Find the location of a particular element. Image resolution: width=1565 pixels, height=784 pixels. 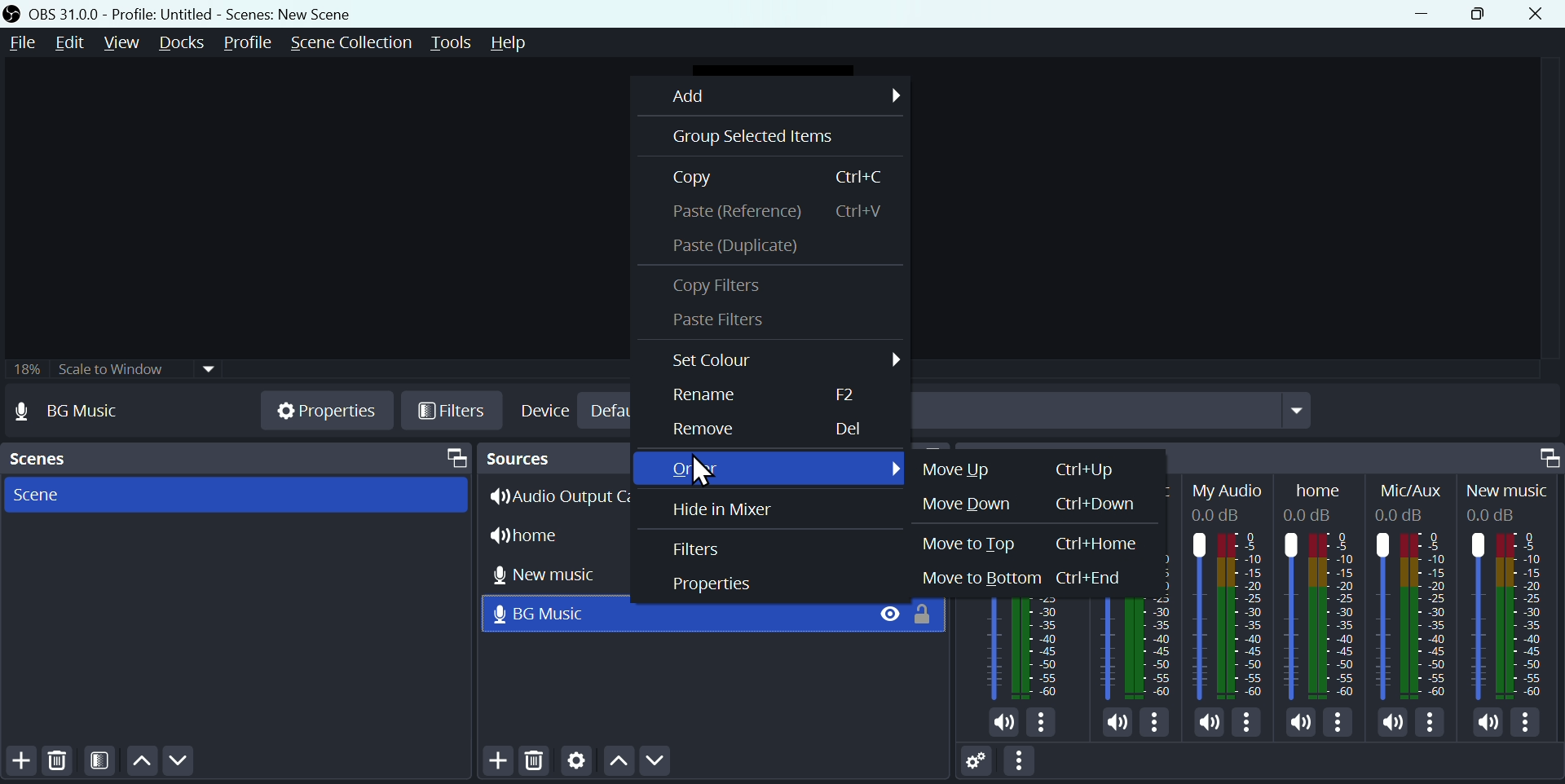

Mute/Unmuite is located at coordinates (1208, 725).